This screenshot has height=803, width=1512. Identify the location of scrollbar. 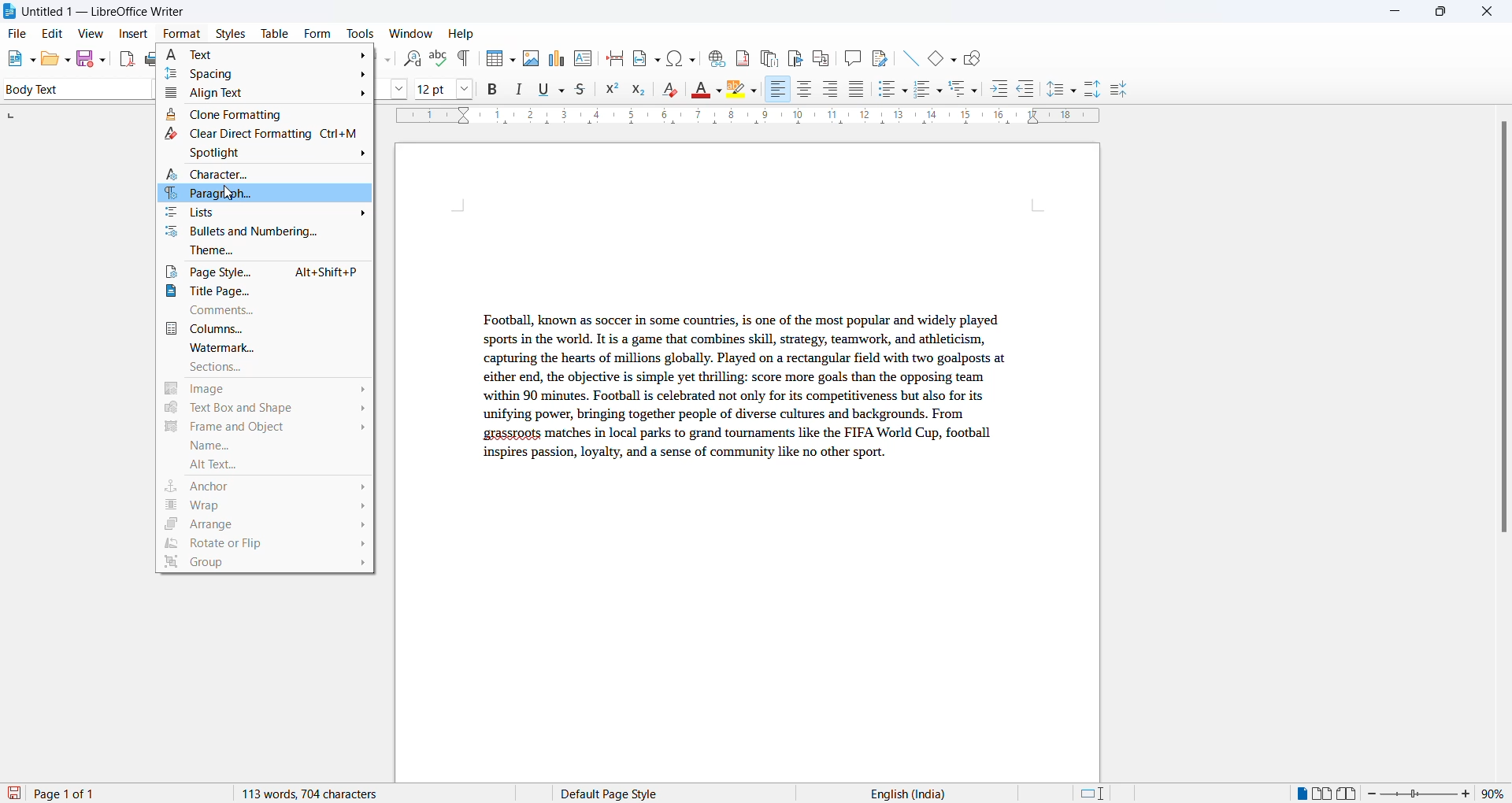
(1503, 335).